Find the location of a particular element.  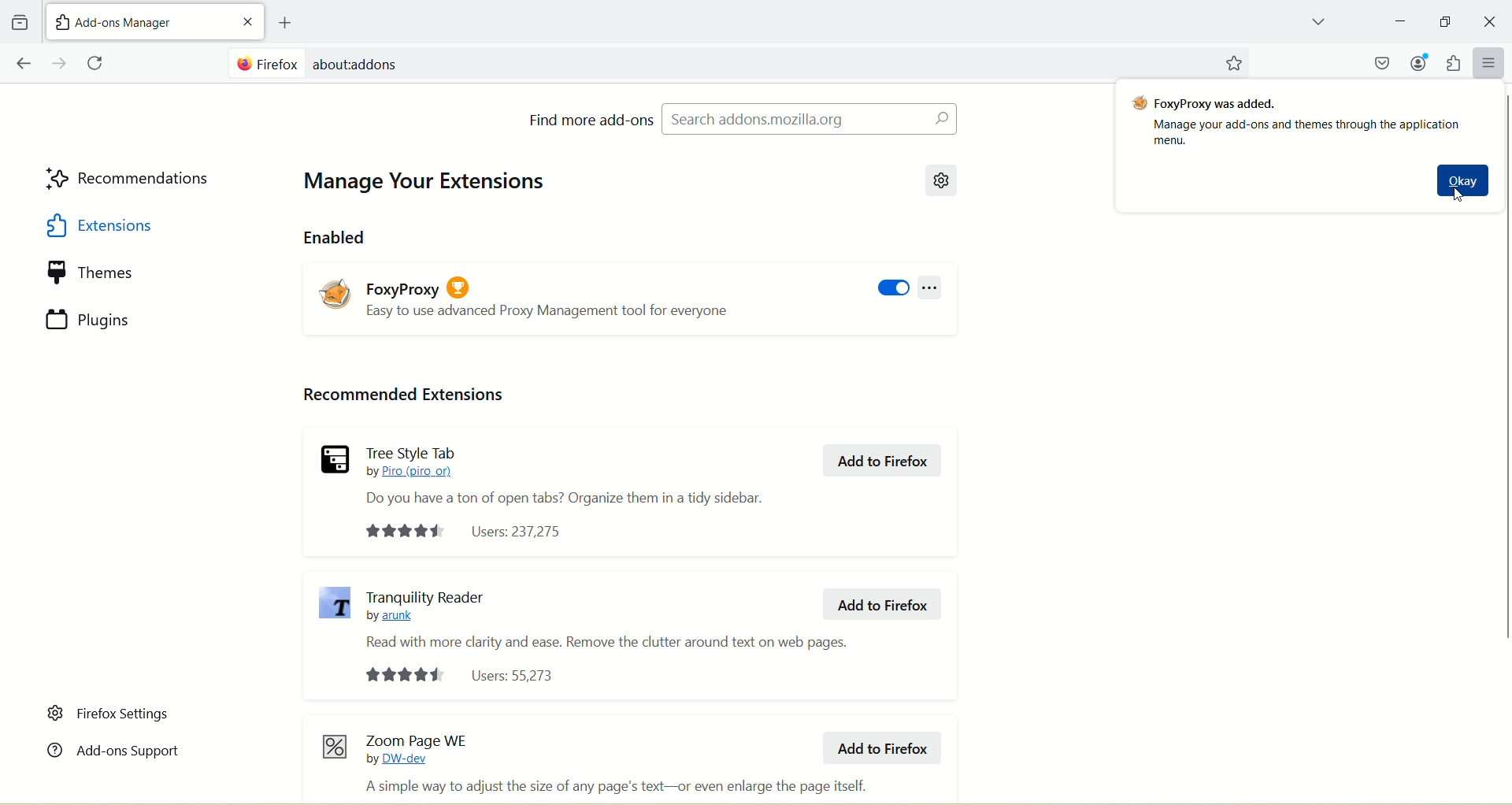

FoxyProxy was Added Notice is located at coordinates (1296, 120).